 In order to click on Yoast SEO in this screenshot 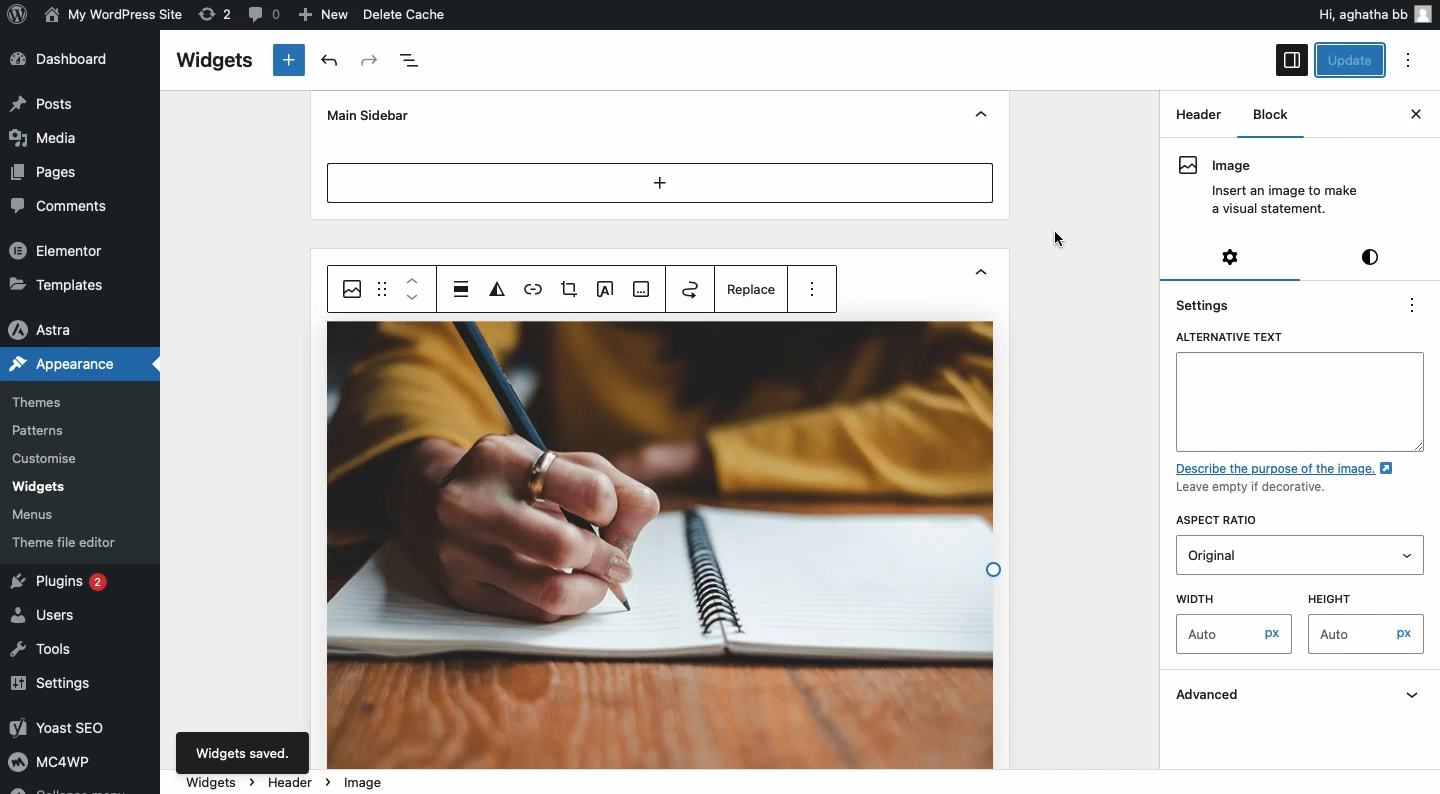, I will do `click(67, 727)`.